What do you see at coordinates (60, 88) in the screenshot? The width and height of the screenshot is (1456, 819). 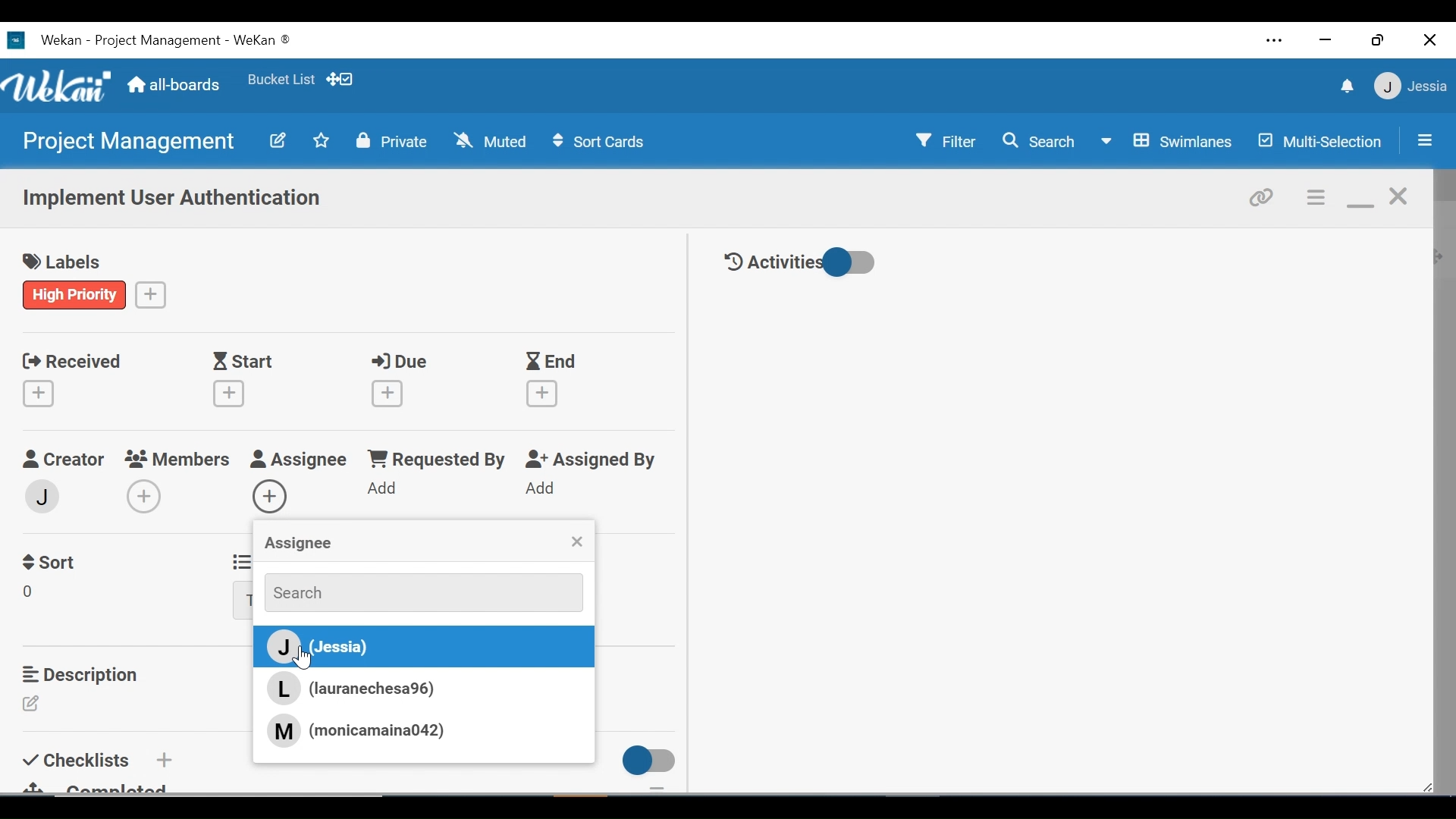 I see `Wekan logo` at bounding box center [60, 88].